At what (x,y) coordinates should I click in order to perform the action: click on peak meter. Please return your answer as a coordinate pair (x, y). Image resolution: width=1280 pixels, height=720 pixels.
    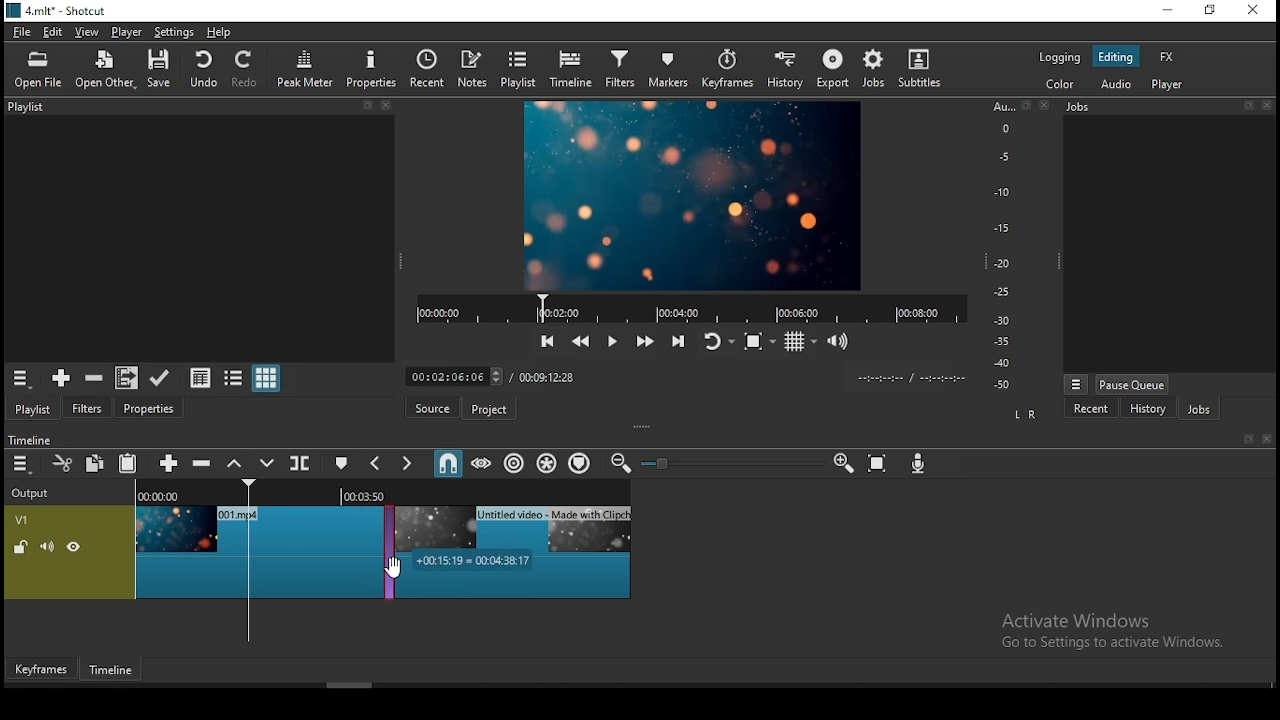
    Looking at the image, I should click on (307, 68).